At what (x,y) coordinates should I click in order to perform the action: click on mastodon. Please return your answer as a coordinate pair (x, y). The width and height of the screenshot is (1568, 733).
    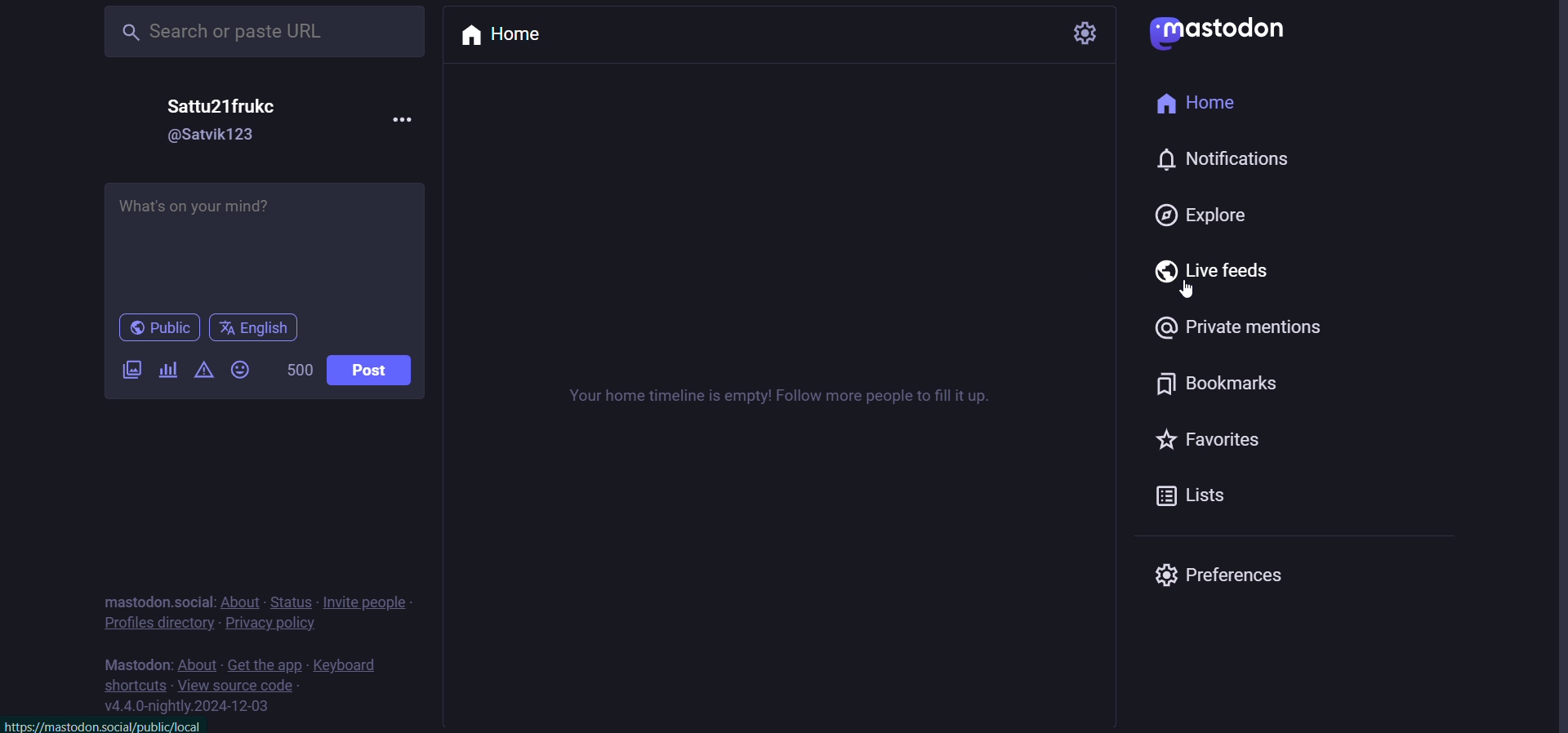
    Looking at the image, I should click on (135, 664).